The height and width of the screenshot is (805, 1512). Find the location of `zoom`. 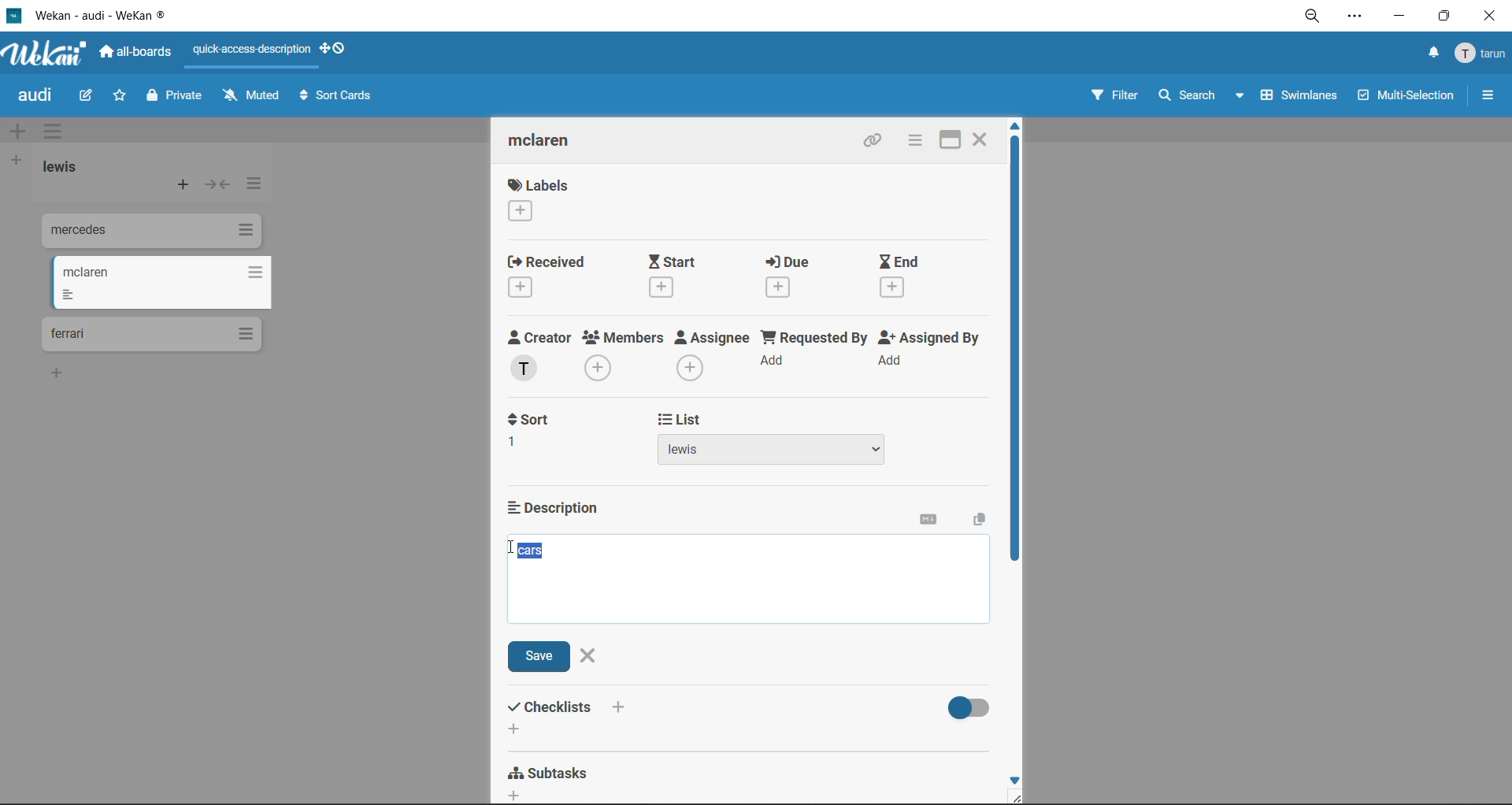

zoom is located at coordinates (1312, 17).